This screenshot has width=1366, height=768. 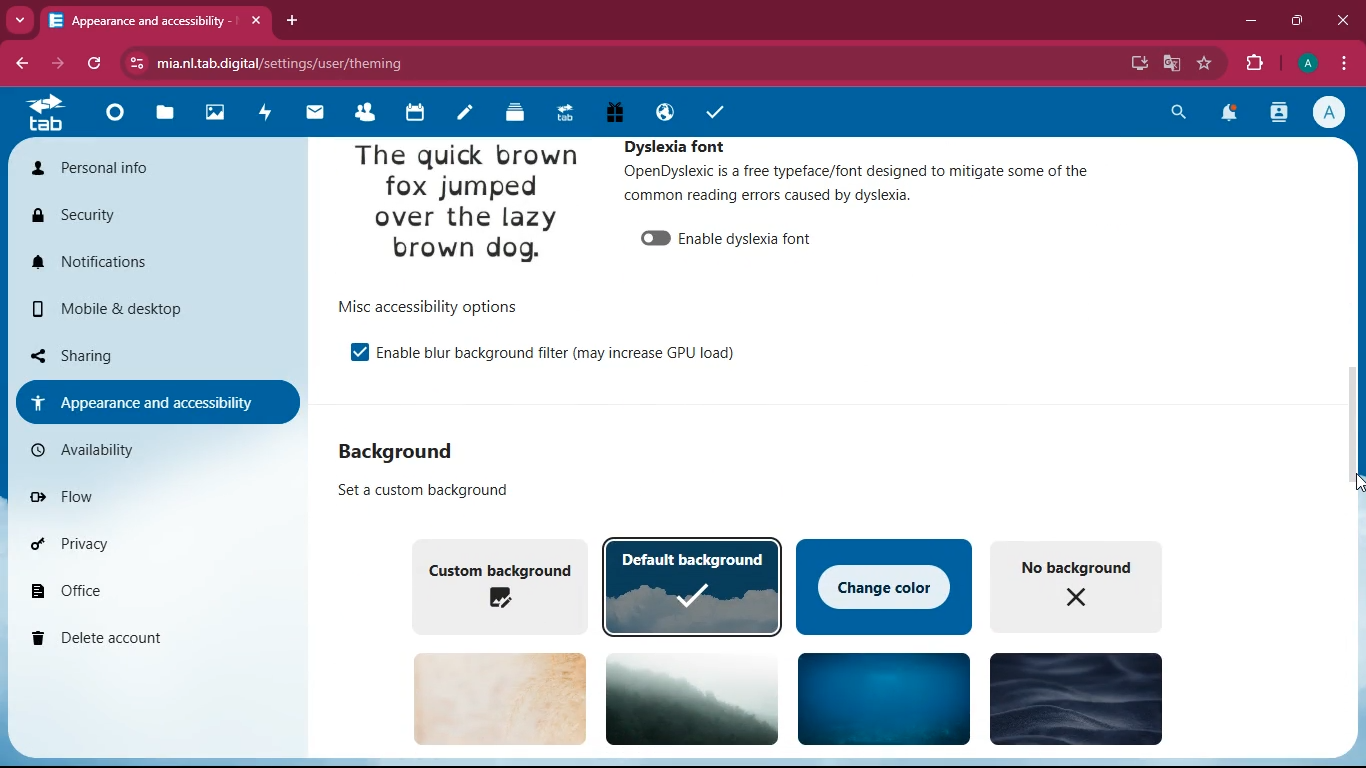 I want to click on background, so click(x=500, y=698).